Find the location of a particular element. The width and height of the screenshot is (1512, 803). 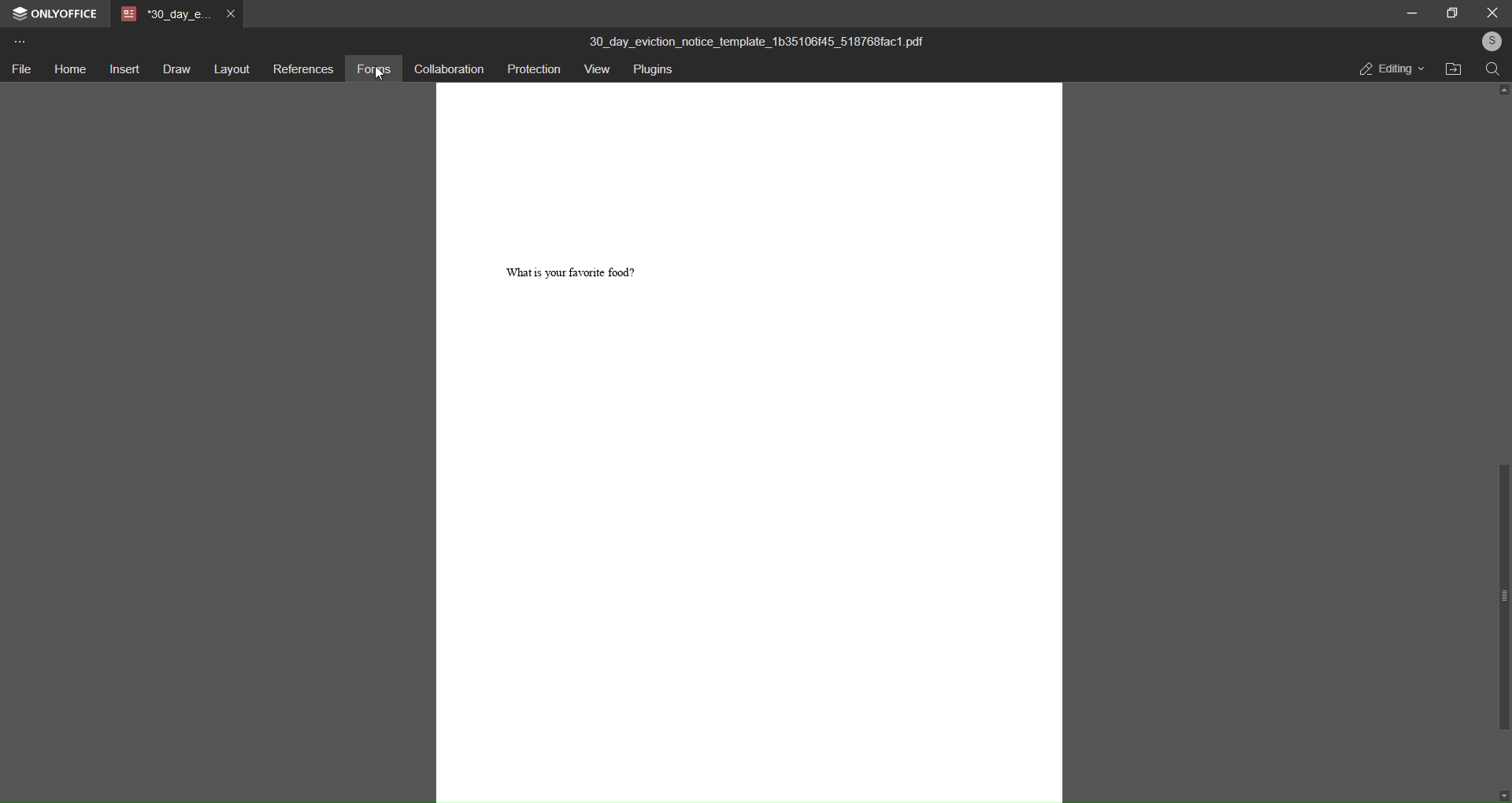

collaboration is located at coordinates (445, 71).